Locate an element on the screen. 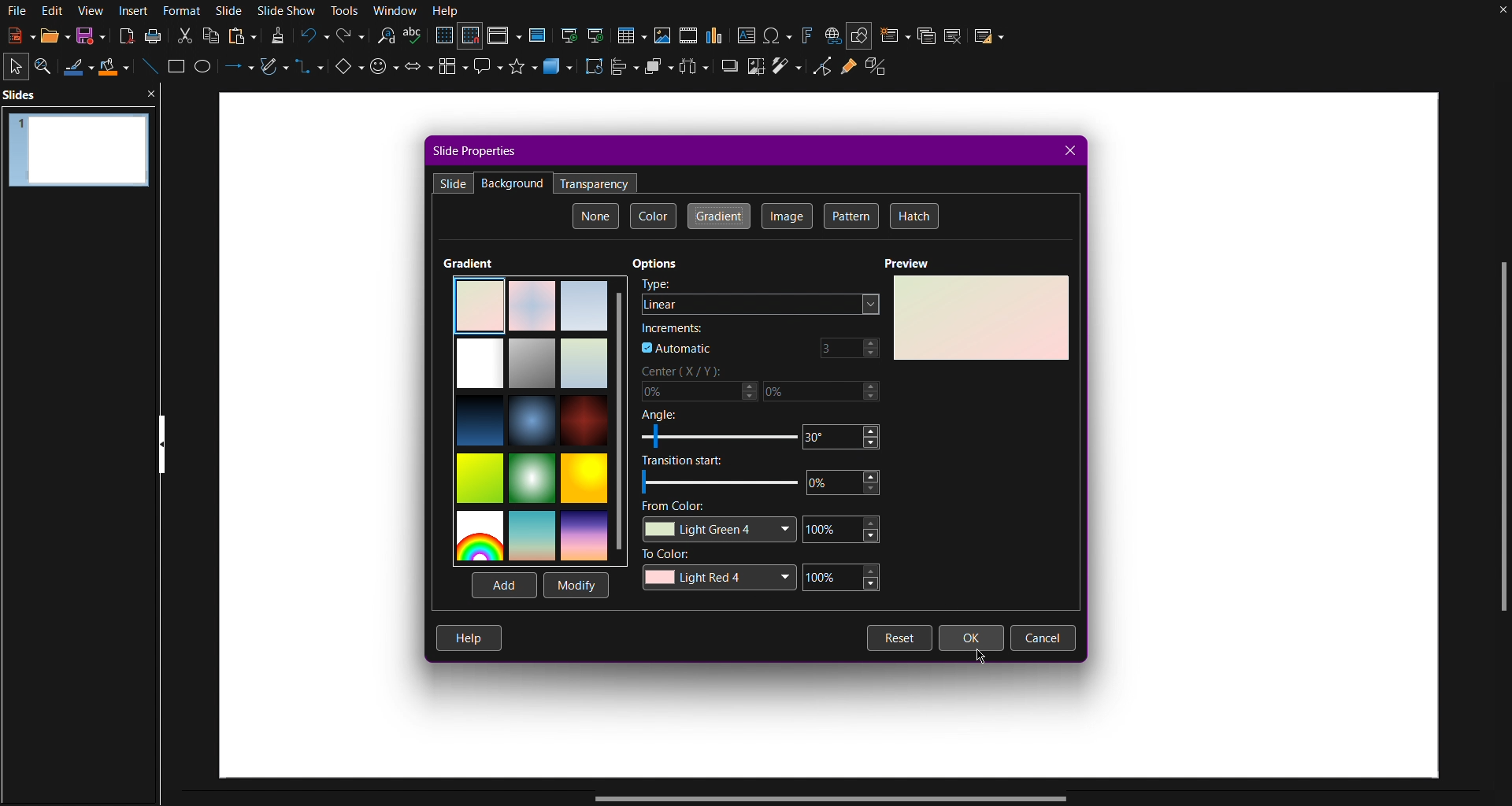 The height and width of the screenshot is (806, 1512). Delete Slide is located at coordinates (955, 34).